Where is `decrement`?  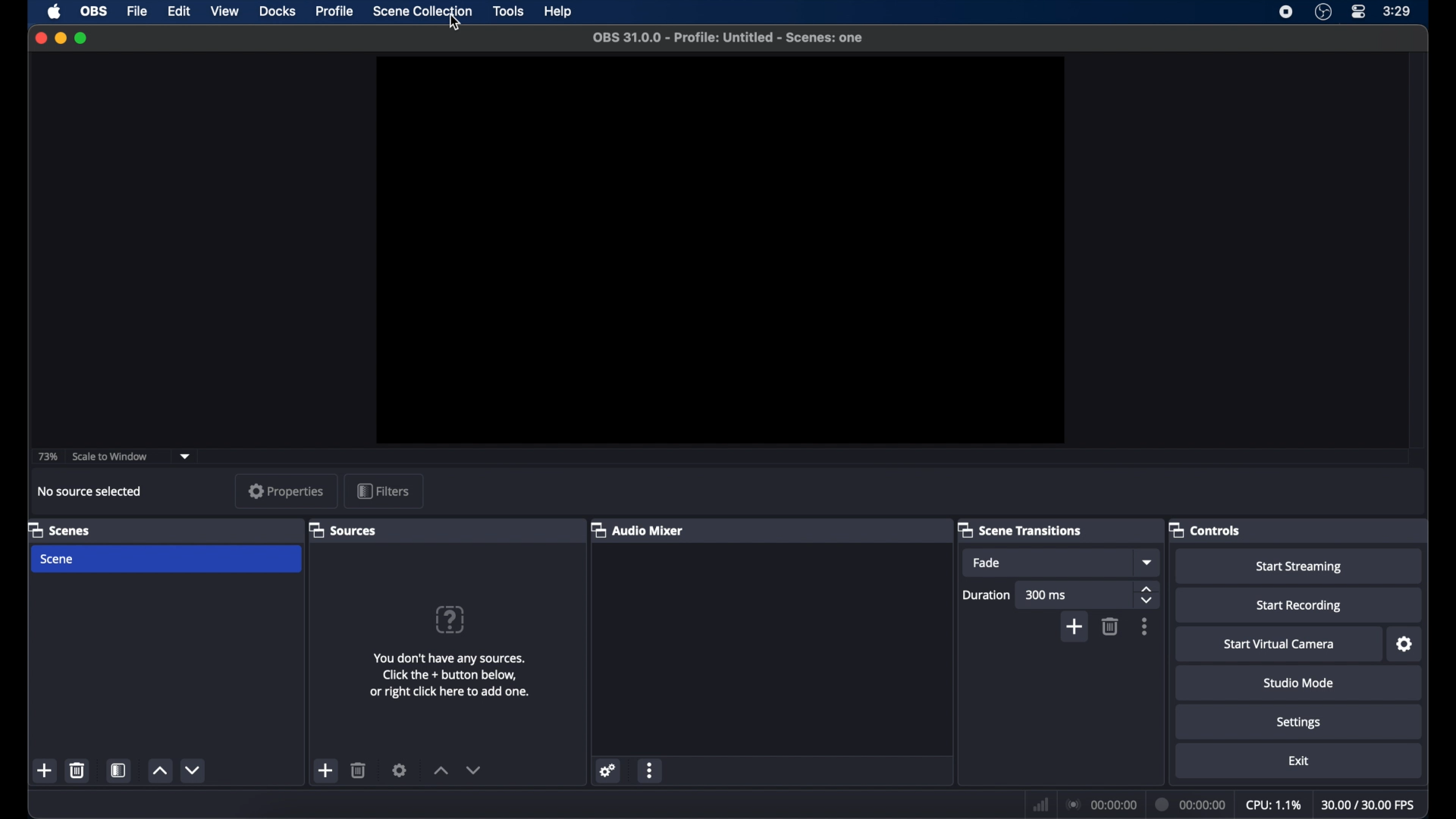 decrement is located at coordinates (194, 770).